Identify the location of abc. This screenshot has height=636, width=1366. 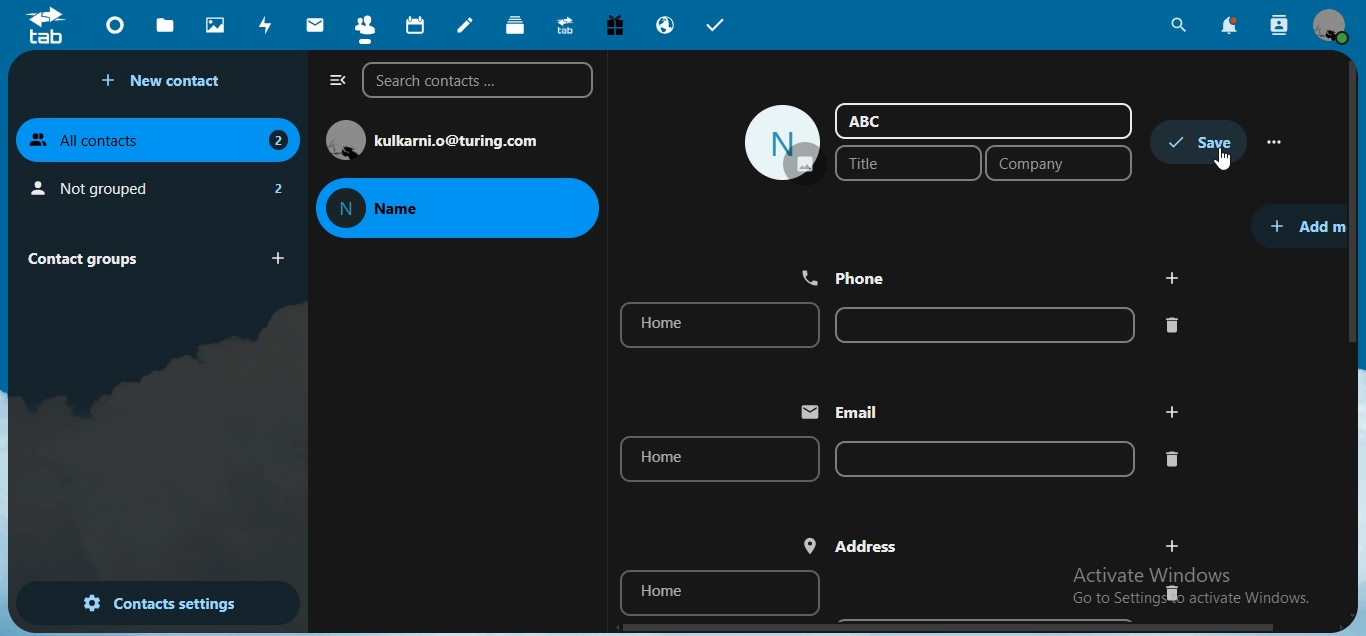
(869, 120).